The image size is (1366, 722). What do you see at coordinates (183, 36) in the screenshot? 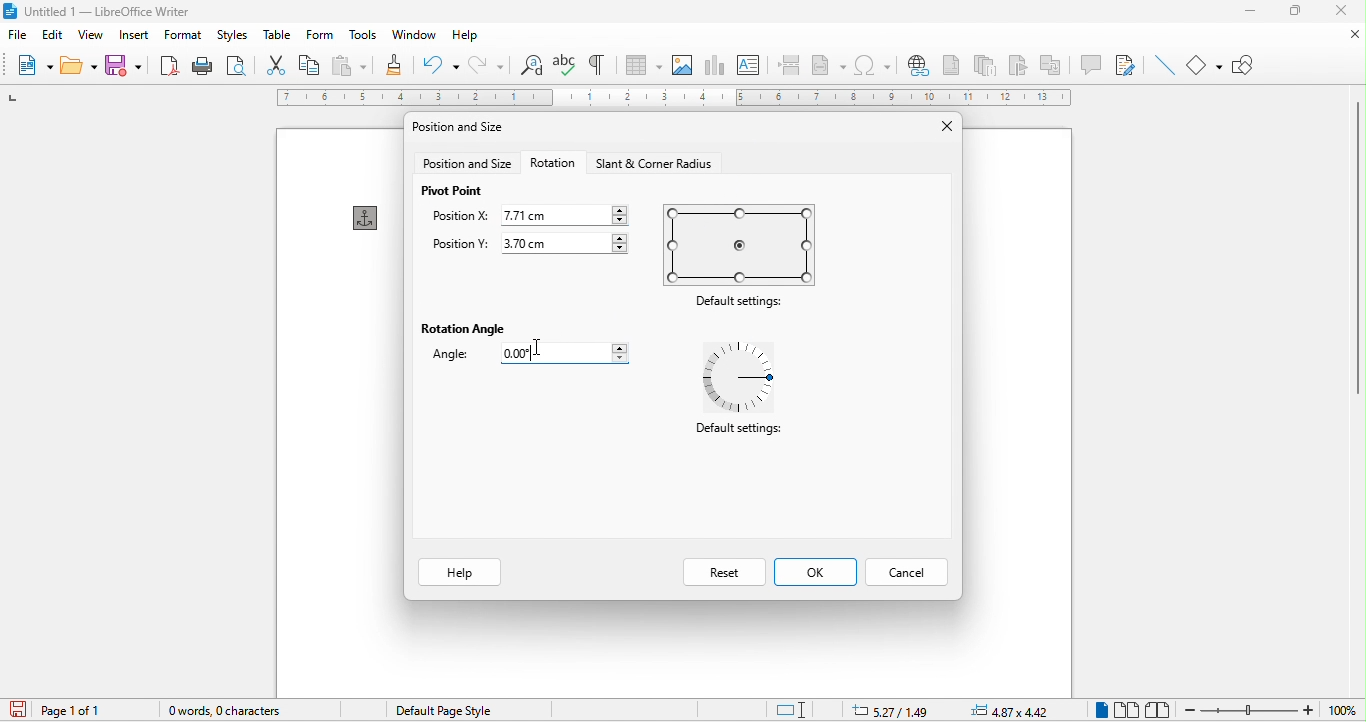
I see `format` at bounding box center [183, 36].